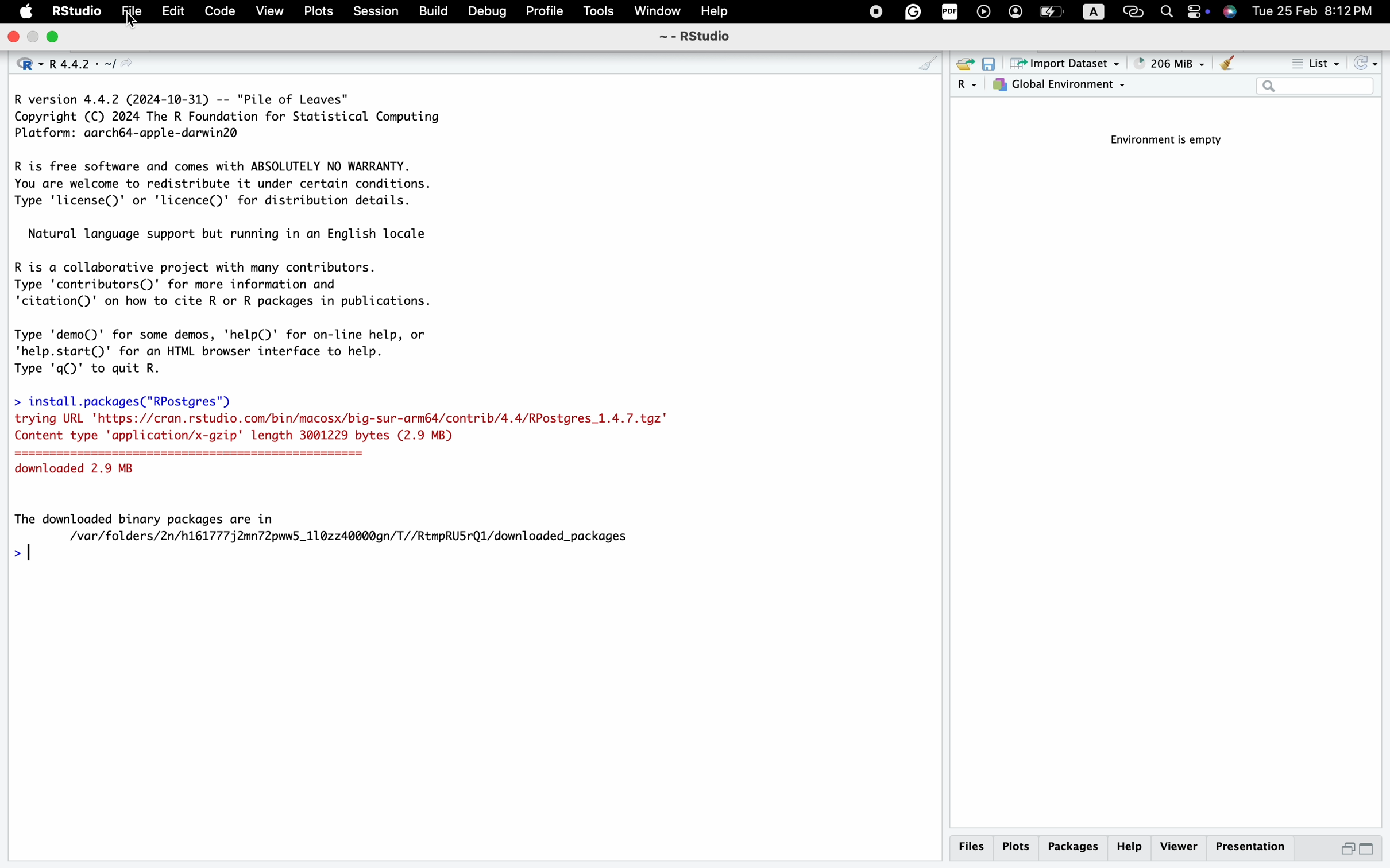 The image size is (1390, 868). Describe the element at coordinates (658, 11) in the screenshot. I see `window` at that location.